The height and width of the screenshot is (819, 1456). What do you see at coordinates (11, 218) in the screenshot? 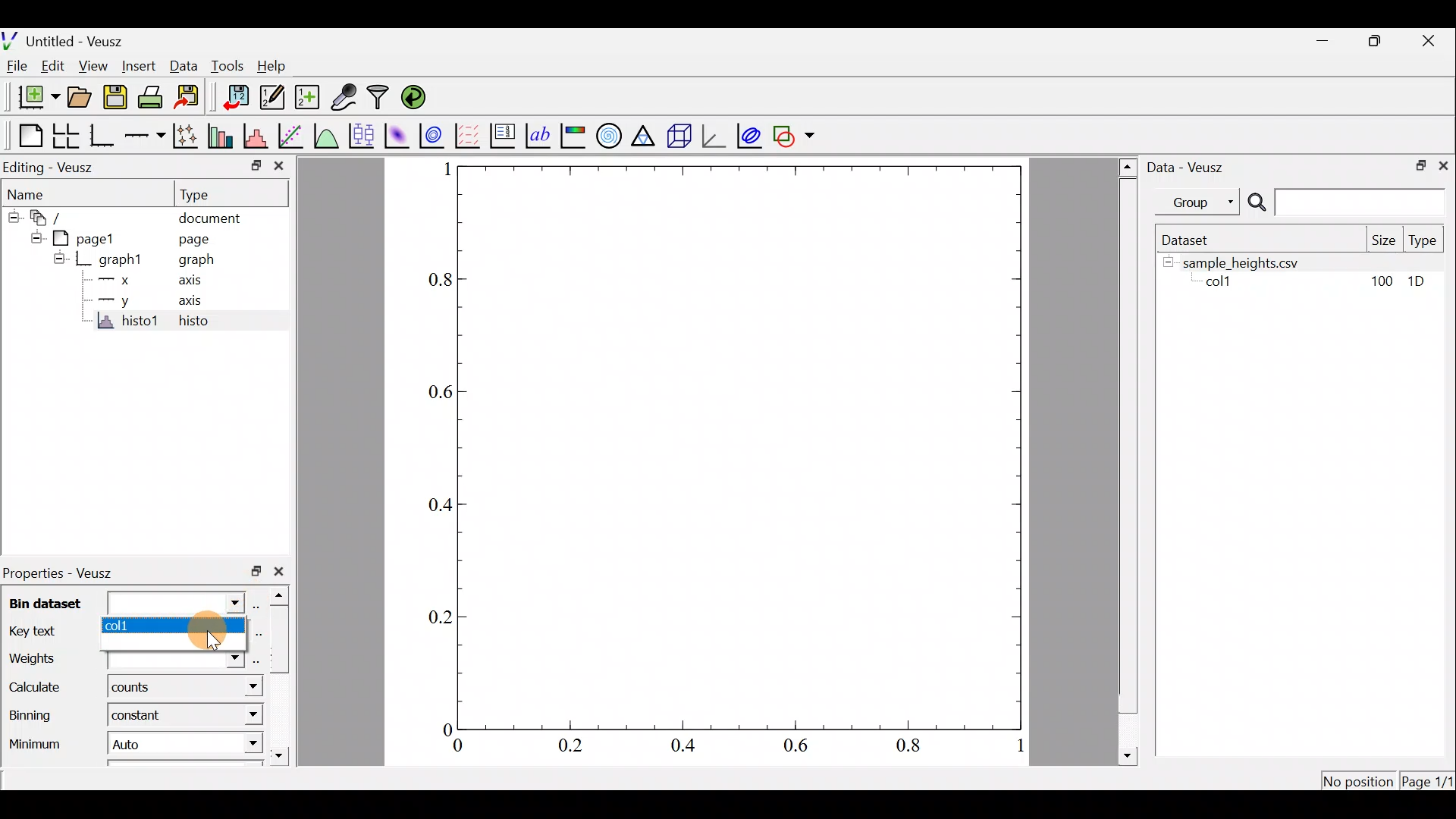
I see `hide` at bounding box center [11, 218].